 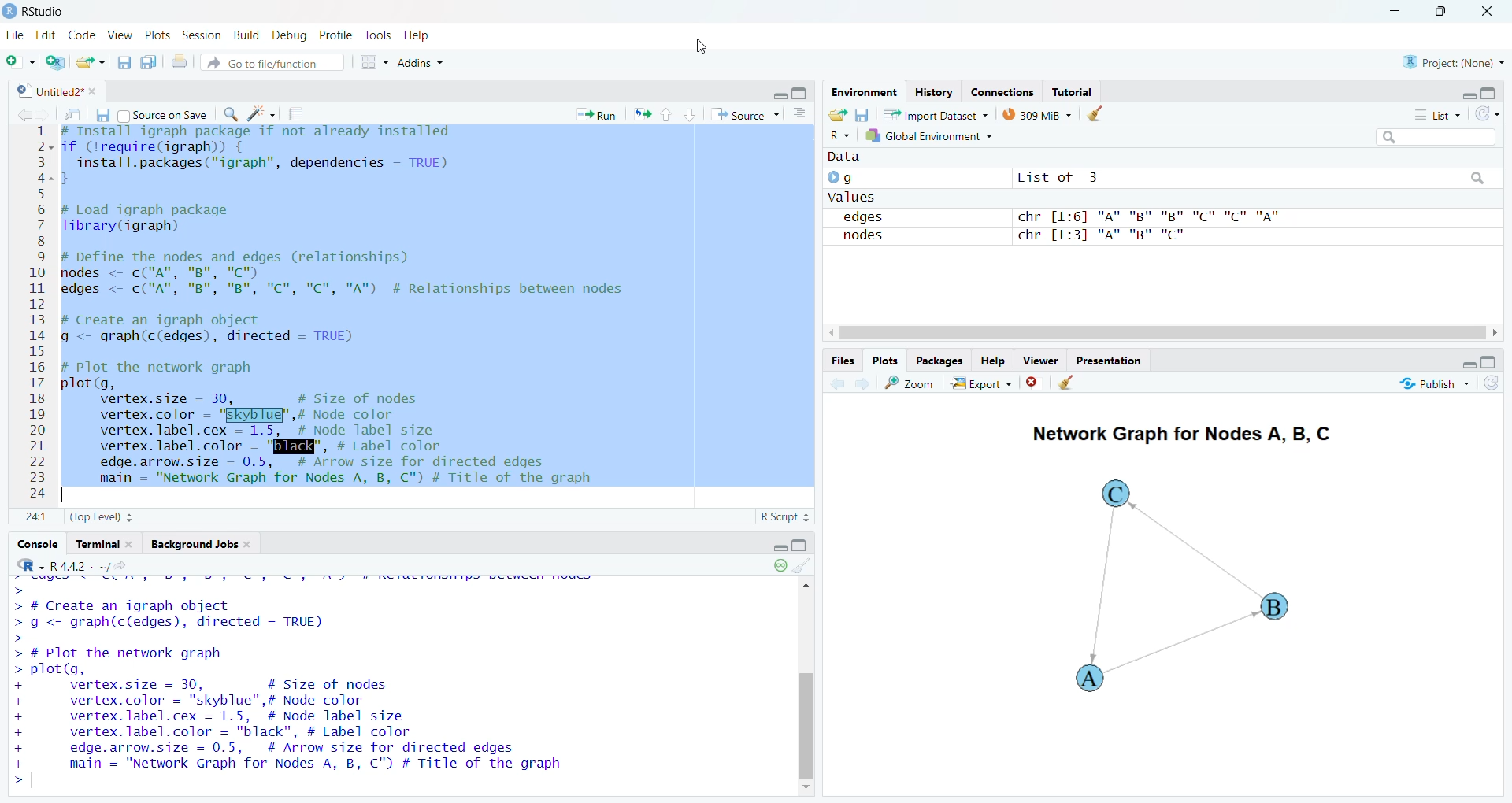 I want to click on close, so click(x=1493, y=12).